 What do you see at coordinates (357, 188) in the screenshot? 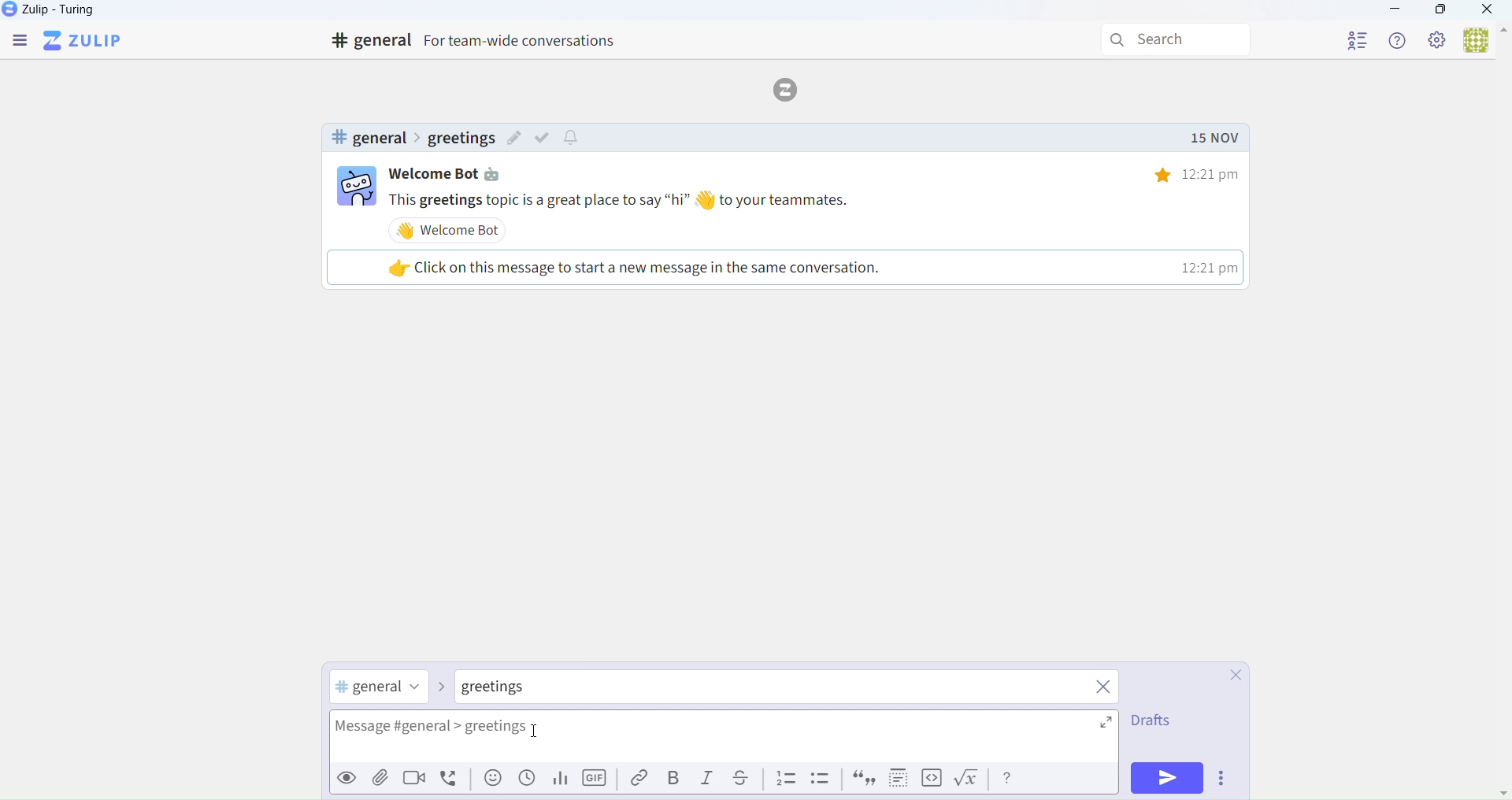
I see `image` at bounding box center [357, 188].